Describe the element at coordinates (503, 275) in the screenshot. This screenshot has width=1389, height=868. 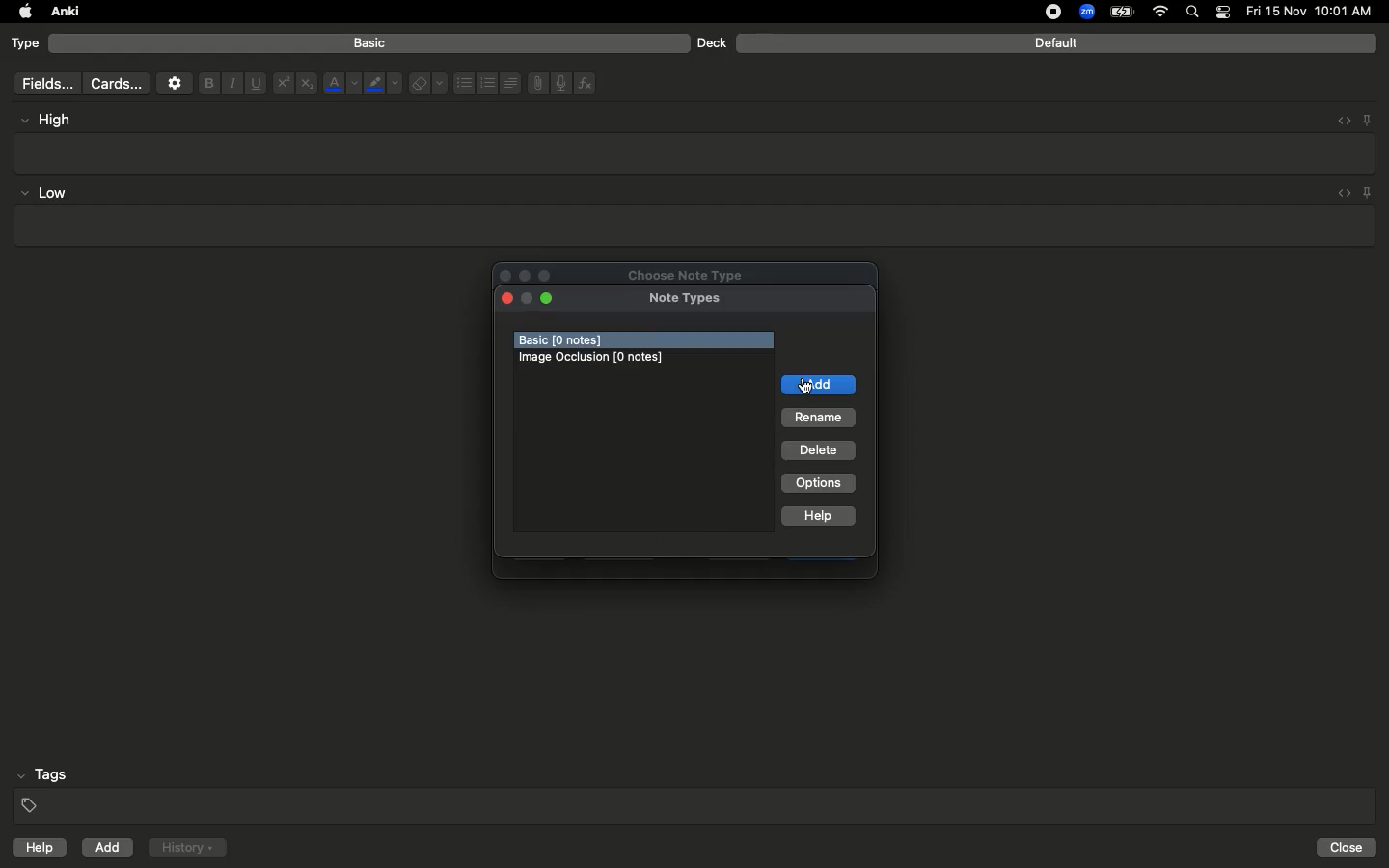
I see `Close` at that location.